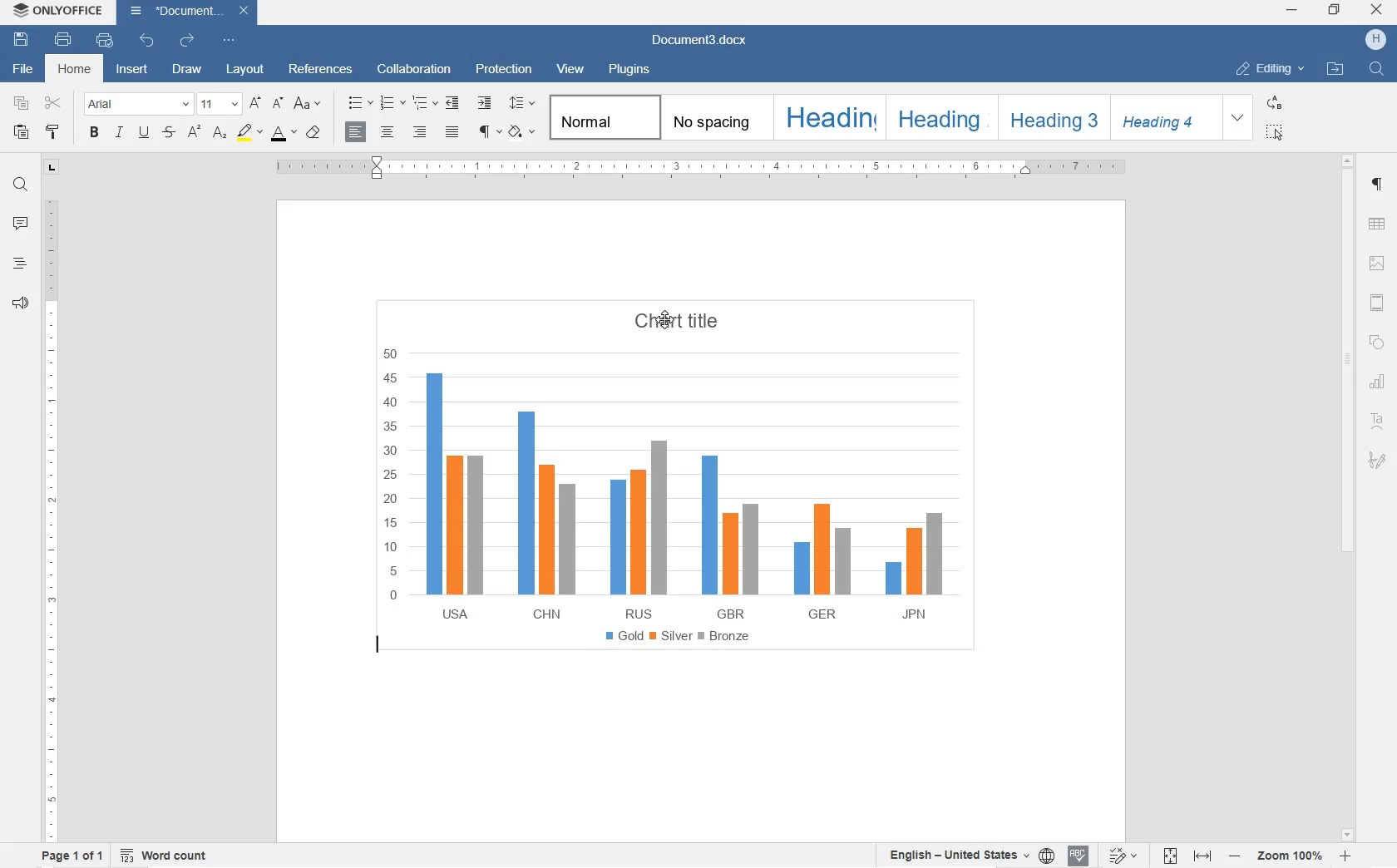  Describe the element at coordinates (137, 104) in the screenshot. I see `FONT NAME` at that location.